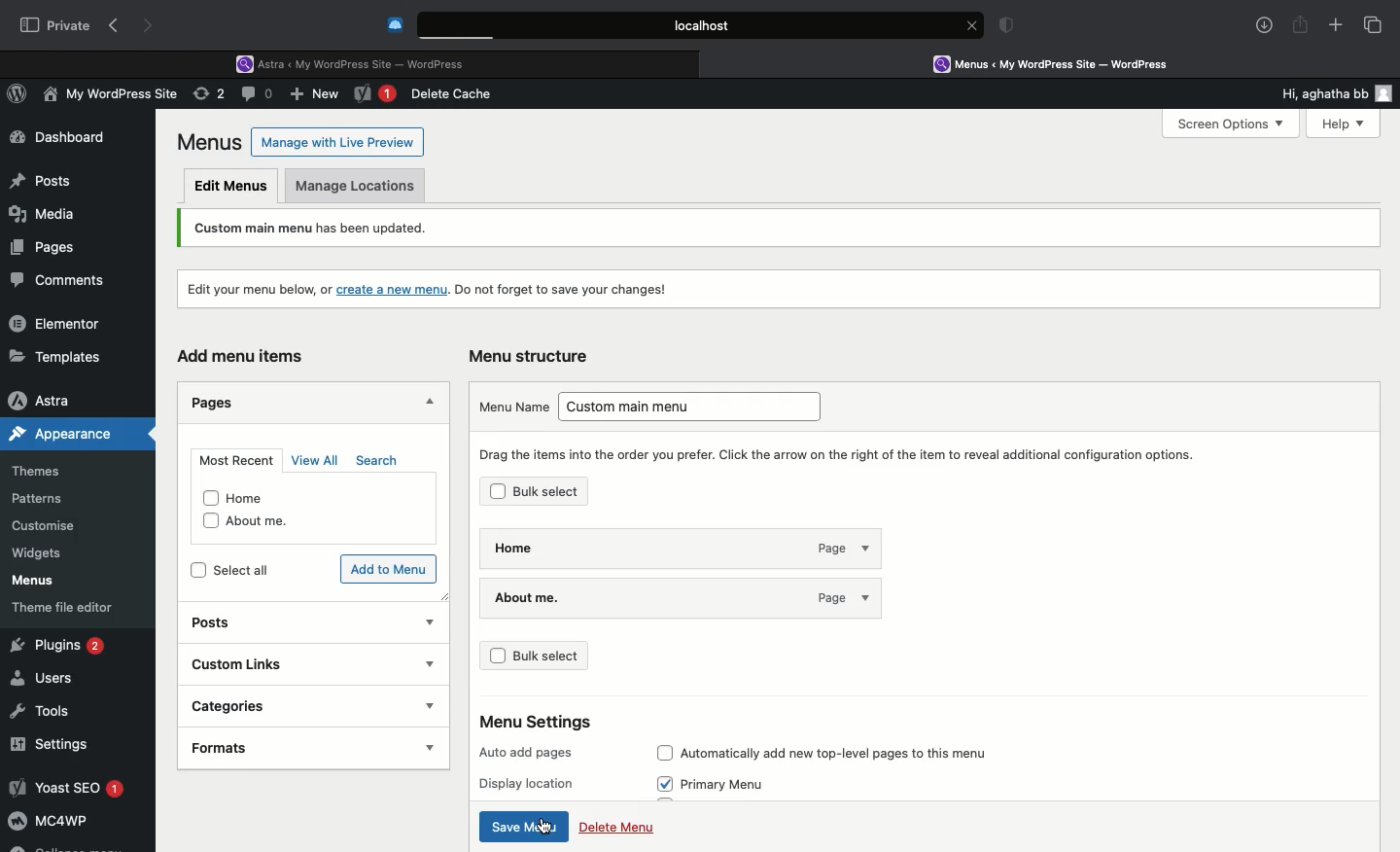 The width and height of the screenshot is (1400, 852). Describe the element at coordinates (1387, 93) in the screenshot. I see `user icon` at that location.